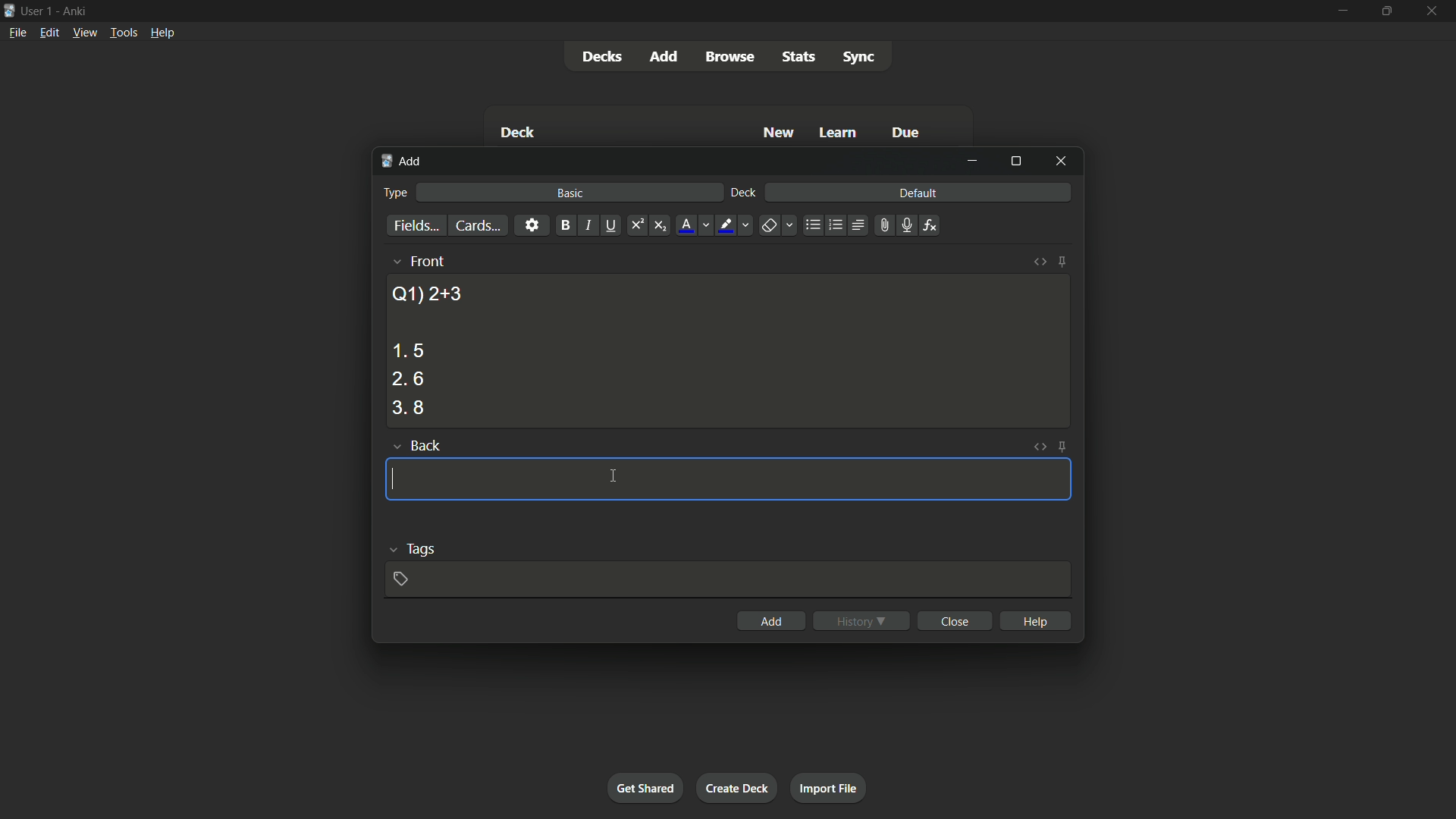 The image size is (1456, 819). I want to click on type, so click(394, 193).